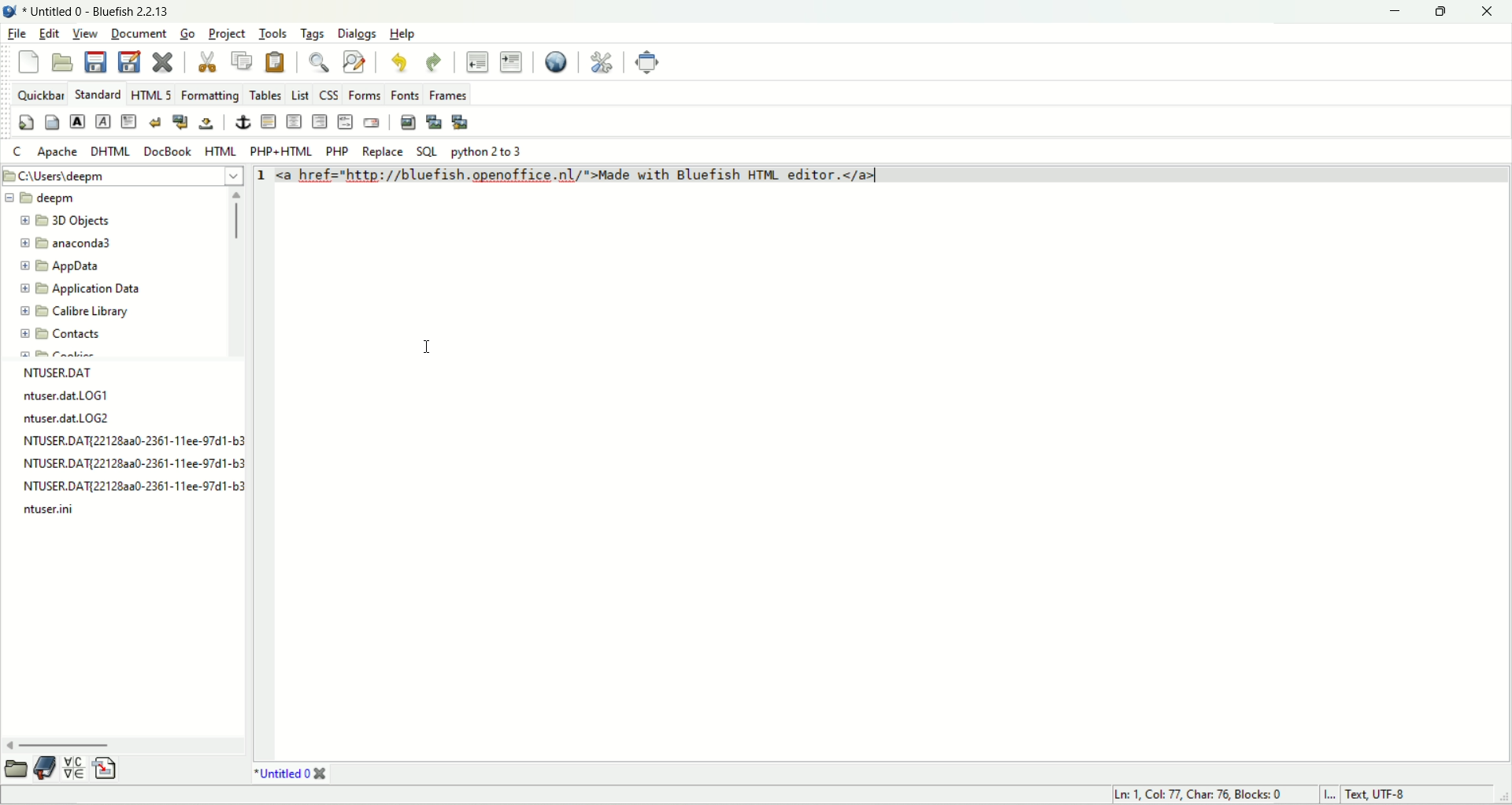 The height and width of the screenshot is (805, 1512). I want to click on open file, so click(61, 63).